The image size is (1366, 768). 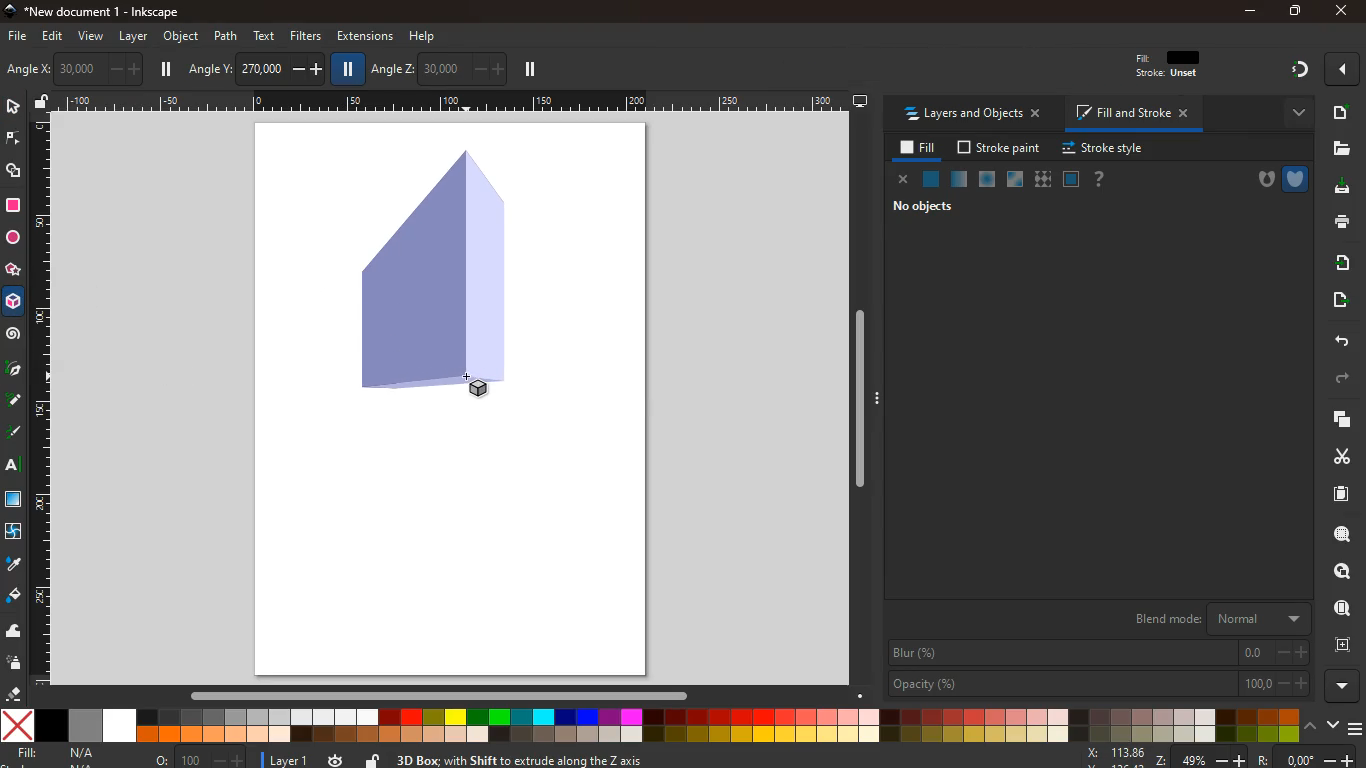 I want to click on zoom, so click(x=1124, y=756).